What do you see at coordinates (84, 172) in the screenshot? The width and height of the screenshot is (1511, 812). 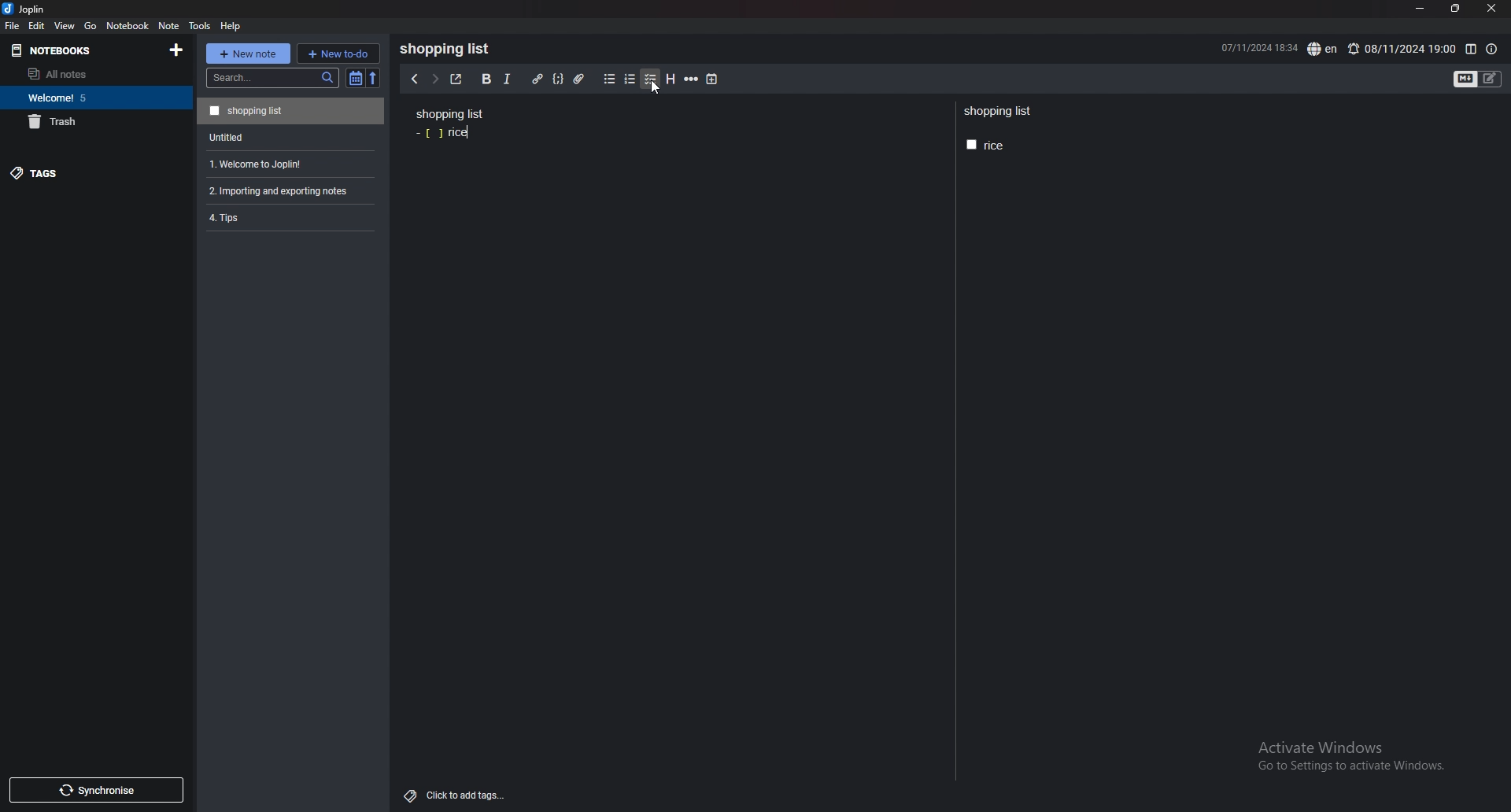 I see `tags` at bounding box center [84, 172].